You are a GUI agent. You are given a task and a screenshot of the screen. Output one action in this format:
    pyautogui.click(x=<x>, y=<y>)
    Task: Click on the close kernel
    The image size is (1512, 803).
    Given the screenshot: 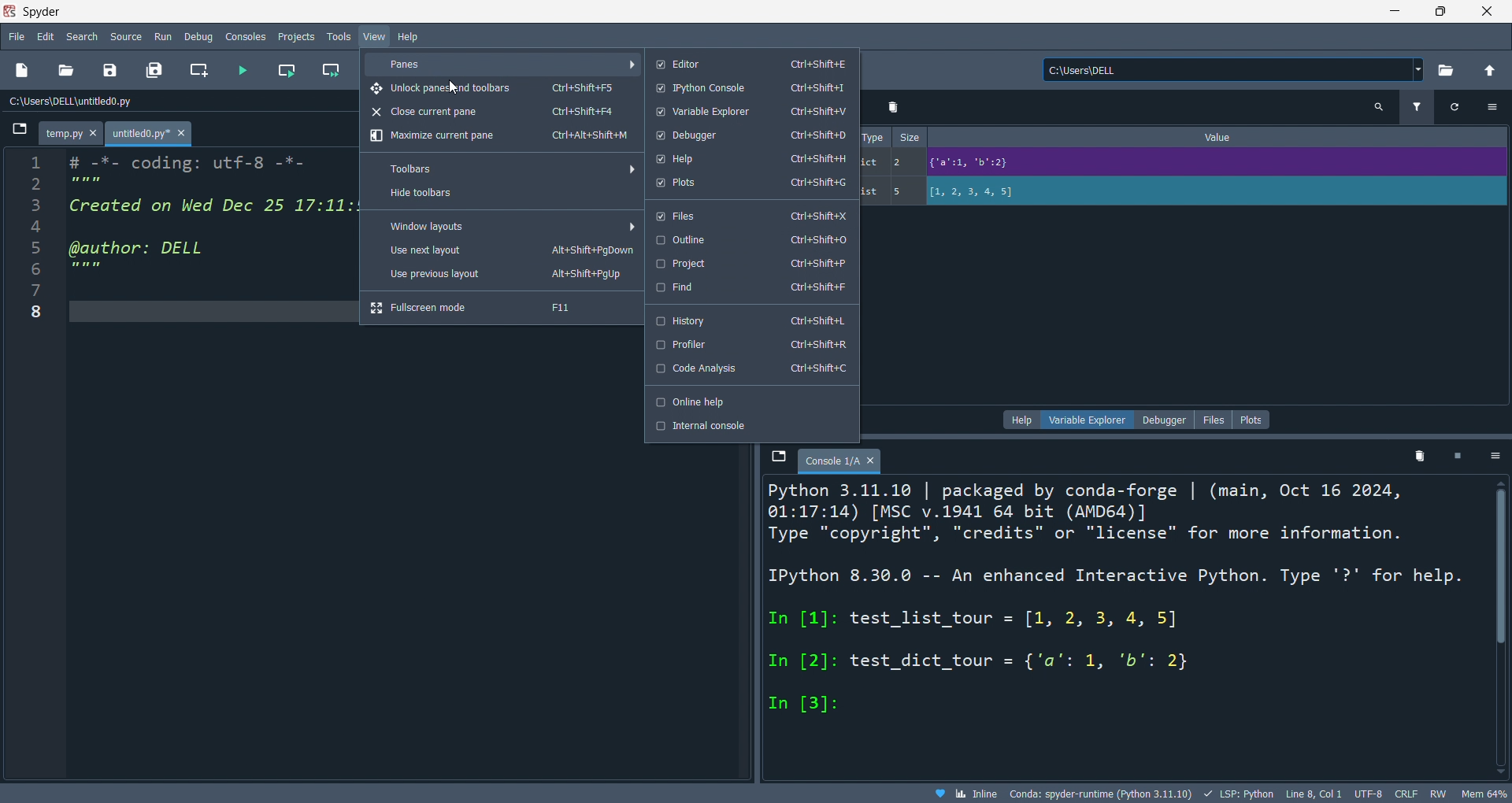 What is the action you would take?
    pyautogui.click(x=1459, y=458)
    